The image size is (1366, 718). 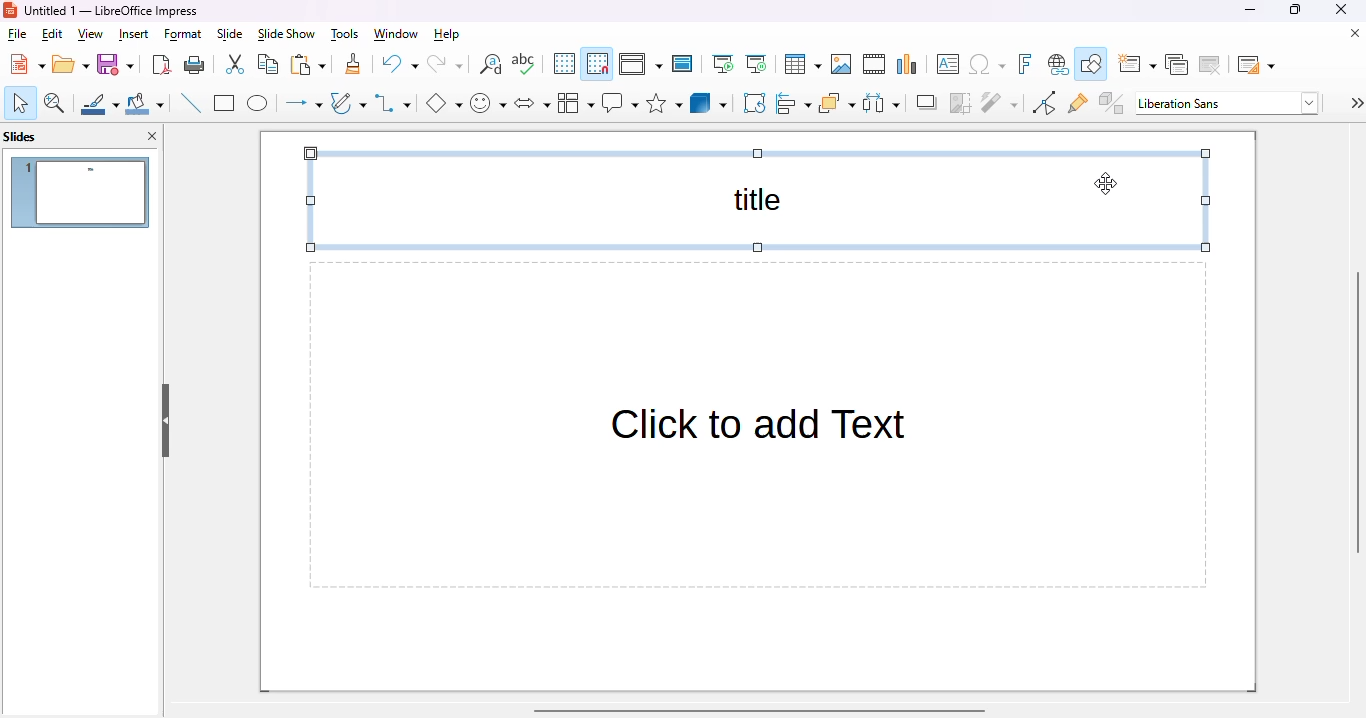 What do you see at coordinates (258, 104) in the screenshot?
I see `ellipse` at bounding box center [258, 104].